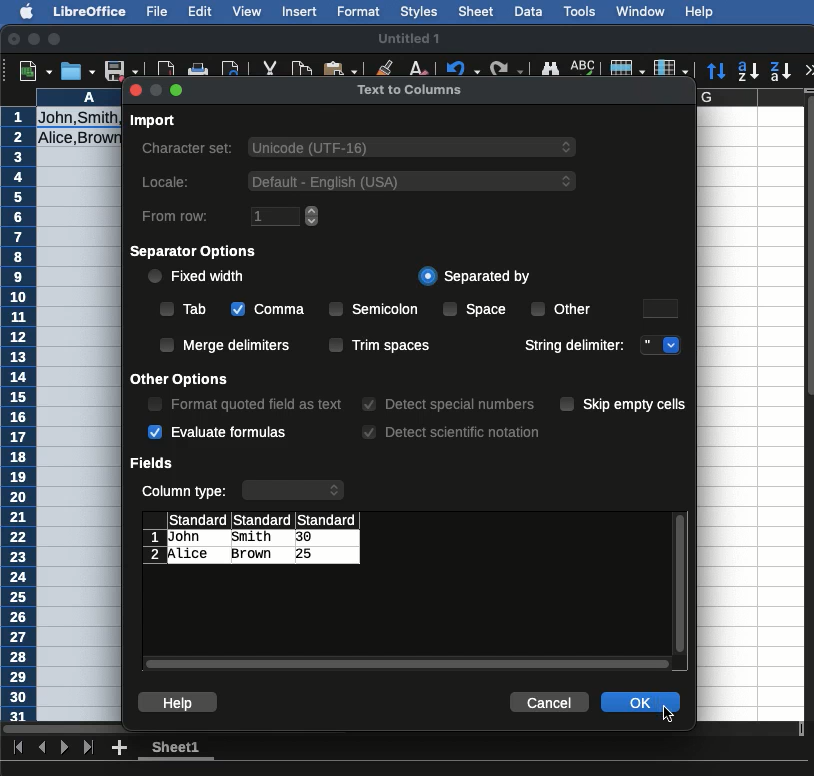  Describe the element at coordinates (550, 700) in the screenshot. I see `Cancel` at that location.